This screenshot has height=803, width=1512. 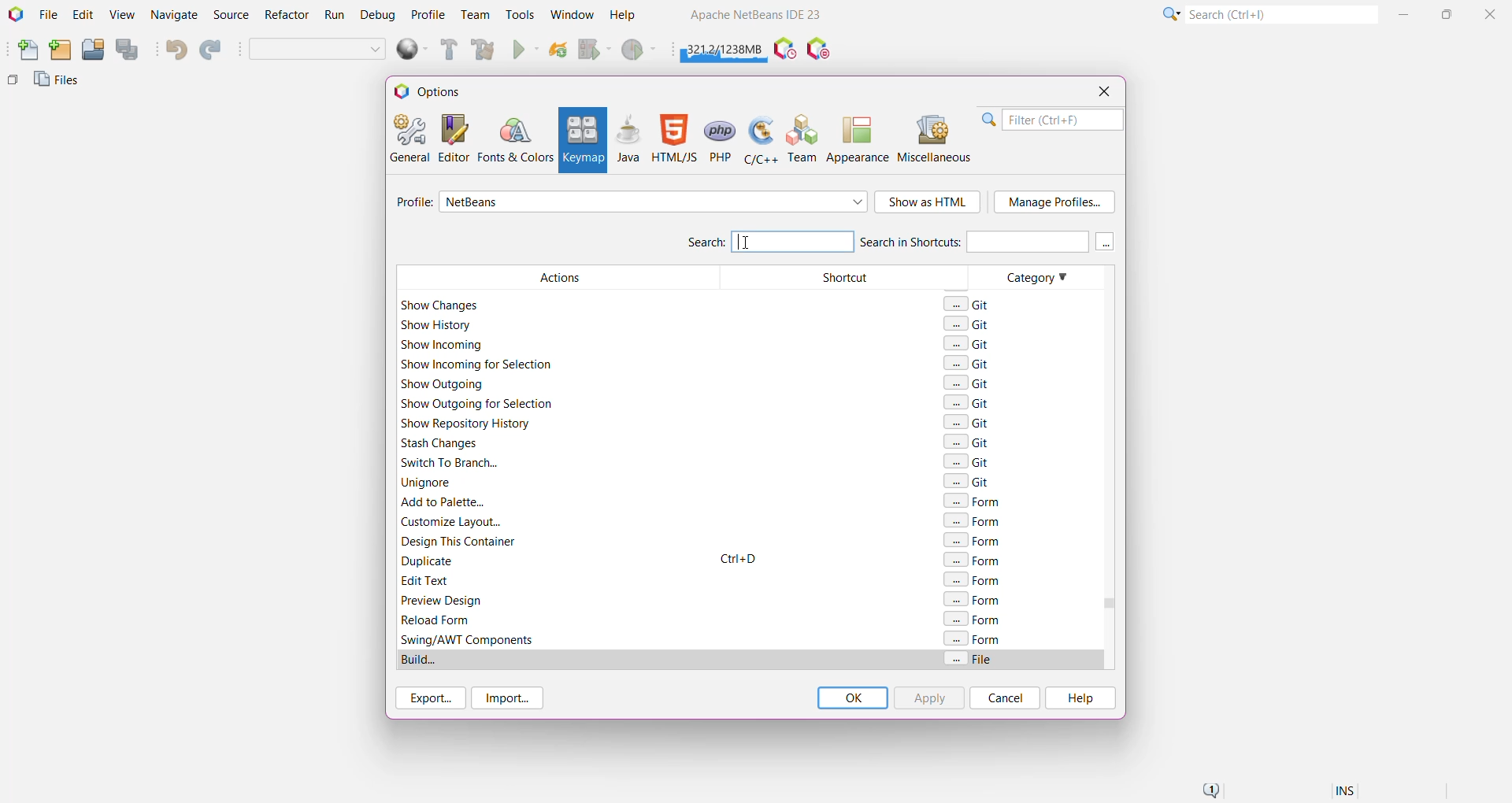 What do you see at coordinates (769, 240) in the screenshot?
I see `Search` at bounding box center [769, 240].